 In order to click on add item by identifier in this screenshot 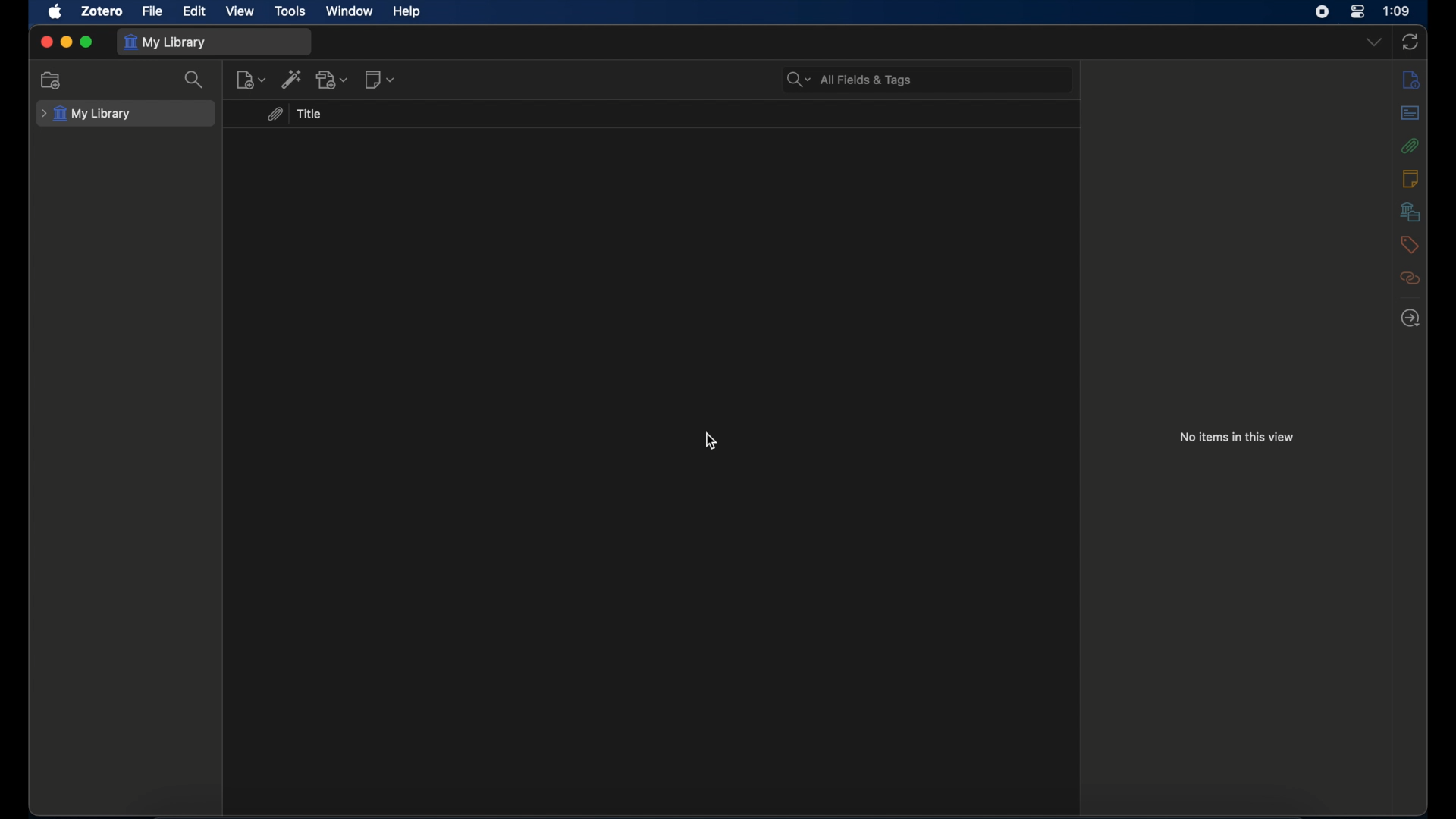, I will do `click(291, 79)`.